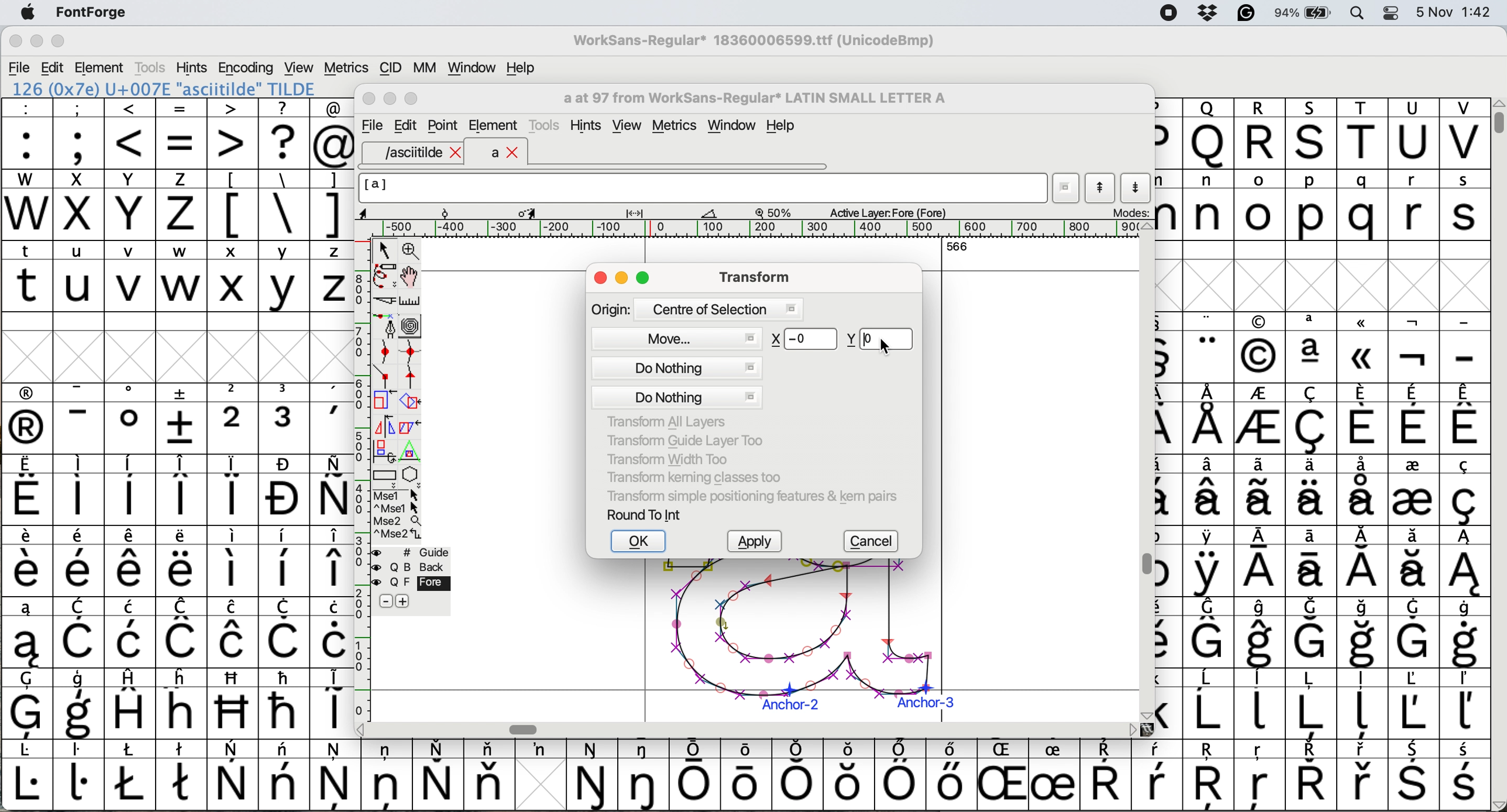 The height and width of the screenshot is (812, 1507). I want to click on cancel, so click(875, 542).